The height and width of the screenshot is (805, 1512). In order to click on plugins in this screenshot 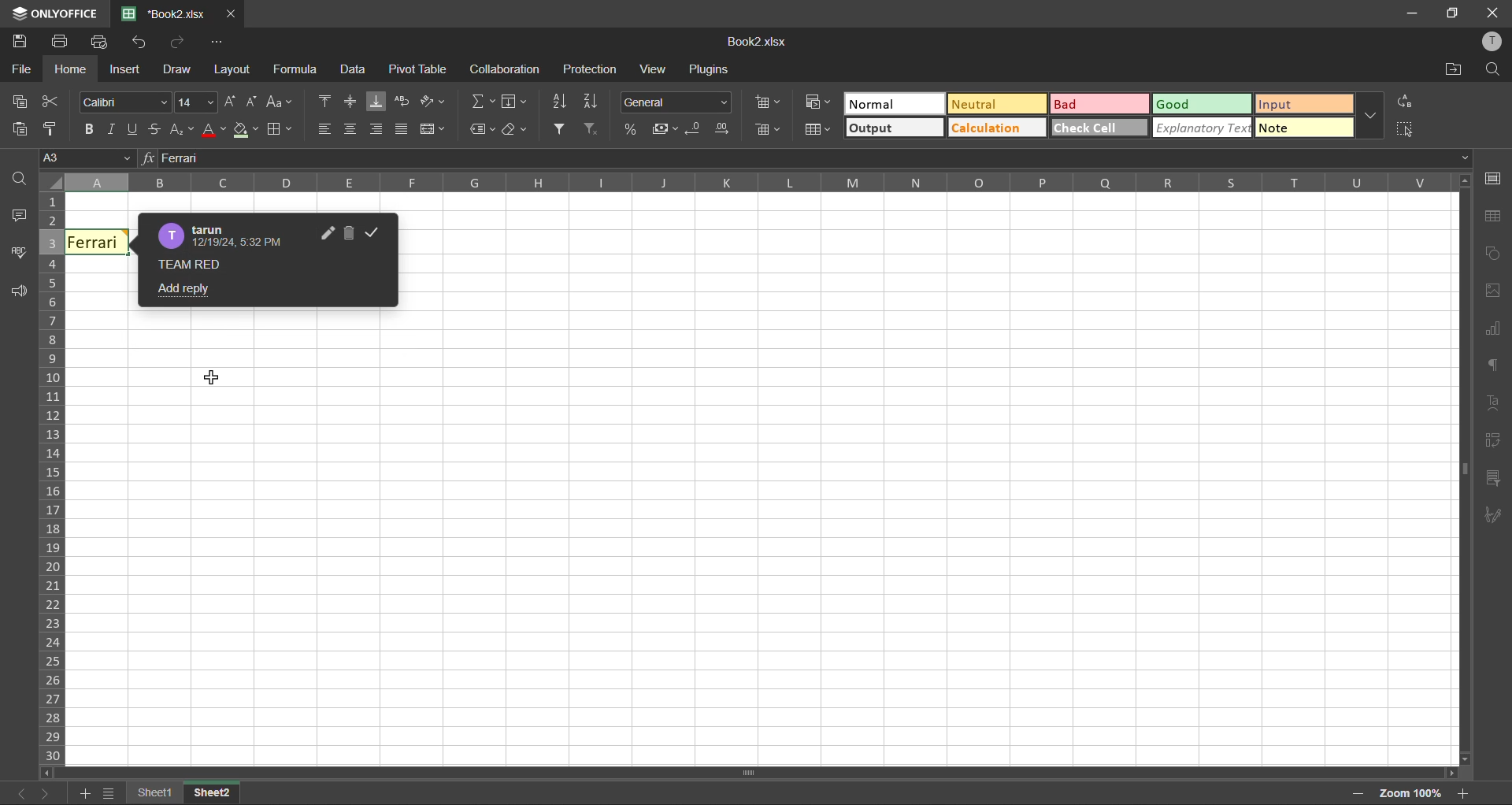, I will do `click(713, 70)`.